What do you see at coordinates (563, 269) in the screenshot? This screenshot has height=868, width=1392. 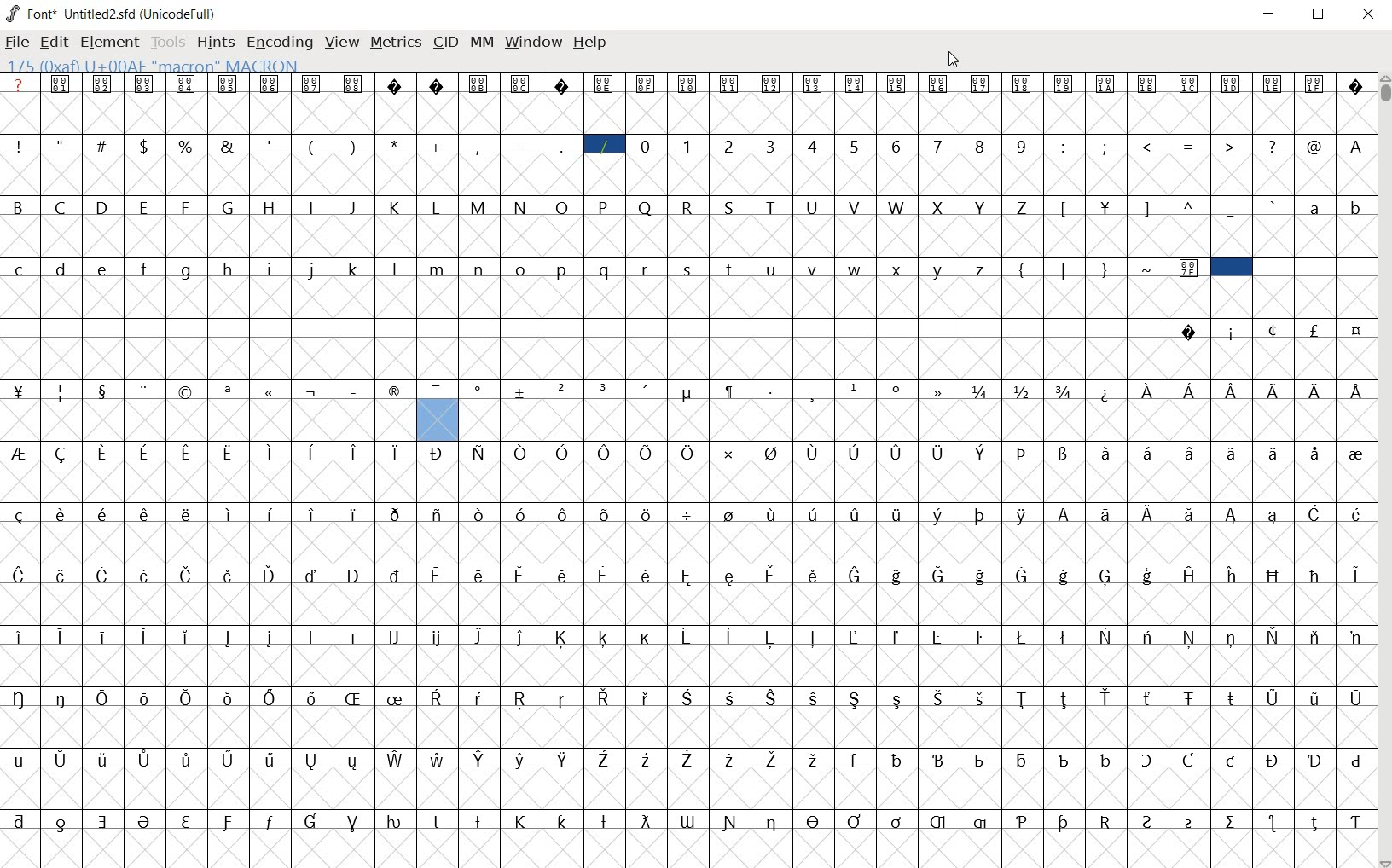 I see `p` at bounding box center [563, 269].